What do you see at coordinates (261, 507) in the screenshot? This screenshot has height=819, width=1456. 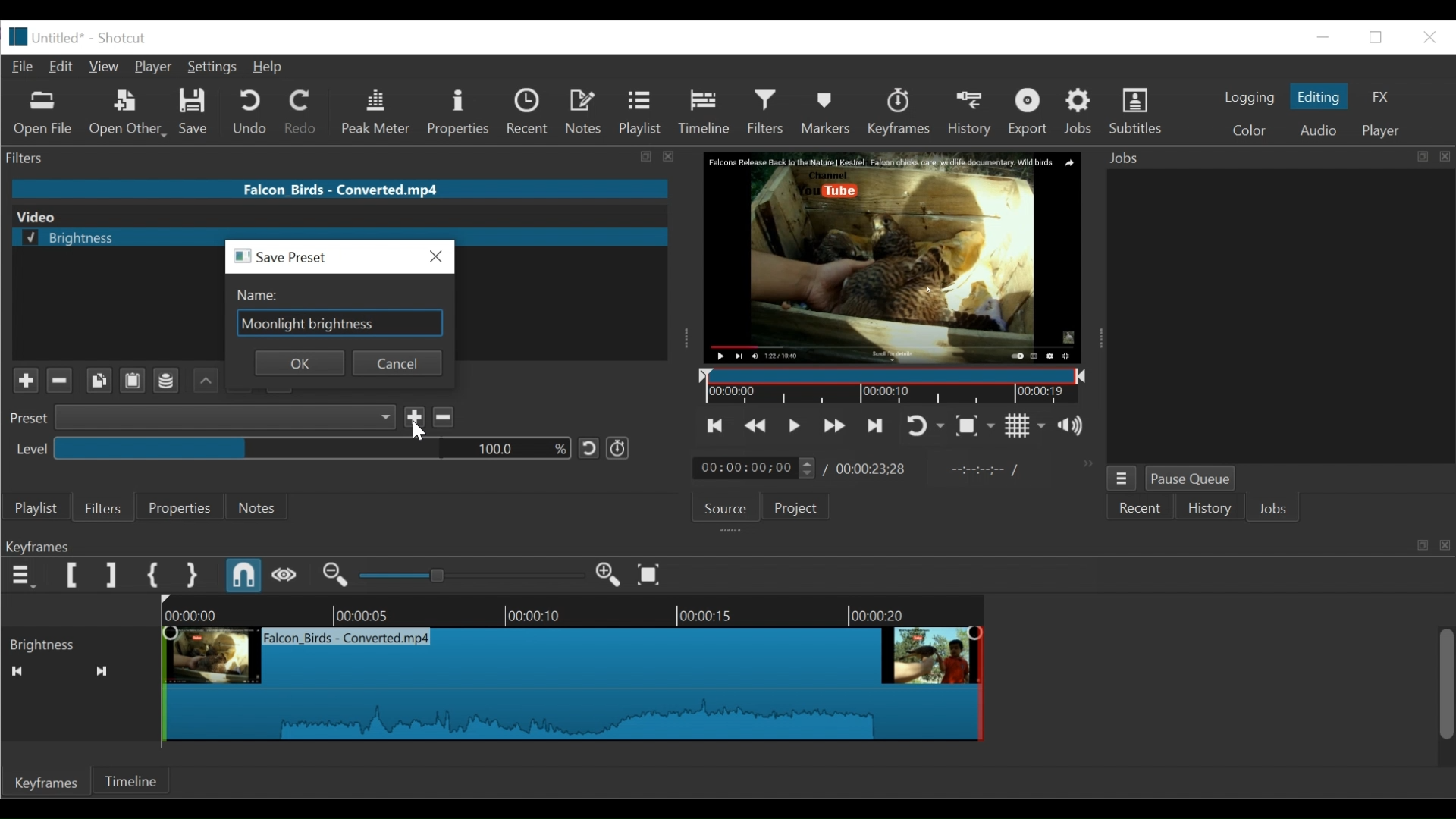 I see `Notes` at bounding box center [261, 507].